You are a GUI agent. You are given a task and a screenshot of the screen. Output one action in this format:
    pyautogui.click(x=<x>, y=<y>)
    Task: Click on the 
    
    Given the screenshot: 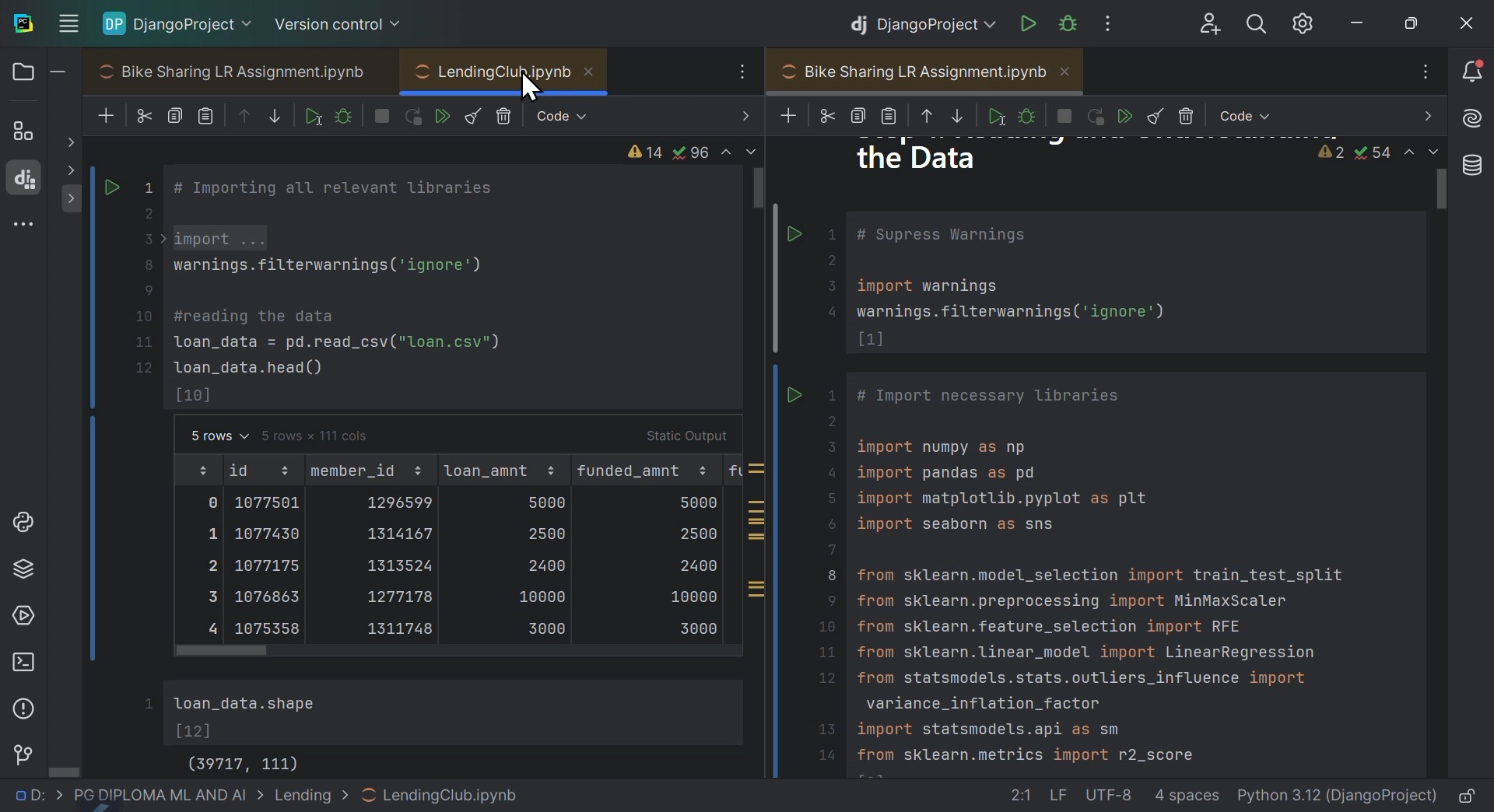 What is the action you would take?
    pyautogui.click(x=1028, y=115)
    